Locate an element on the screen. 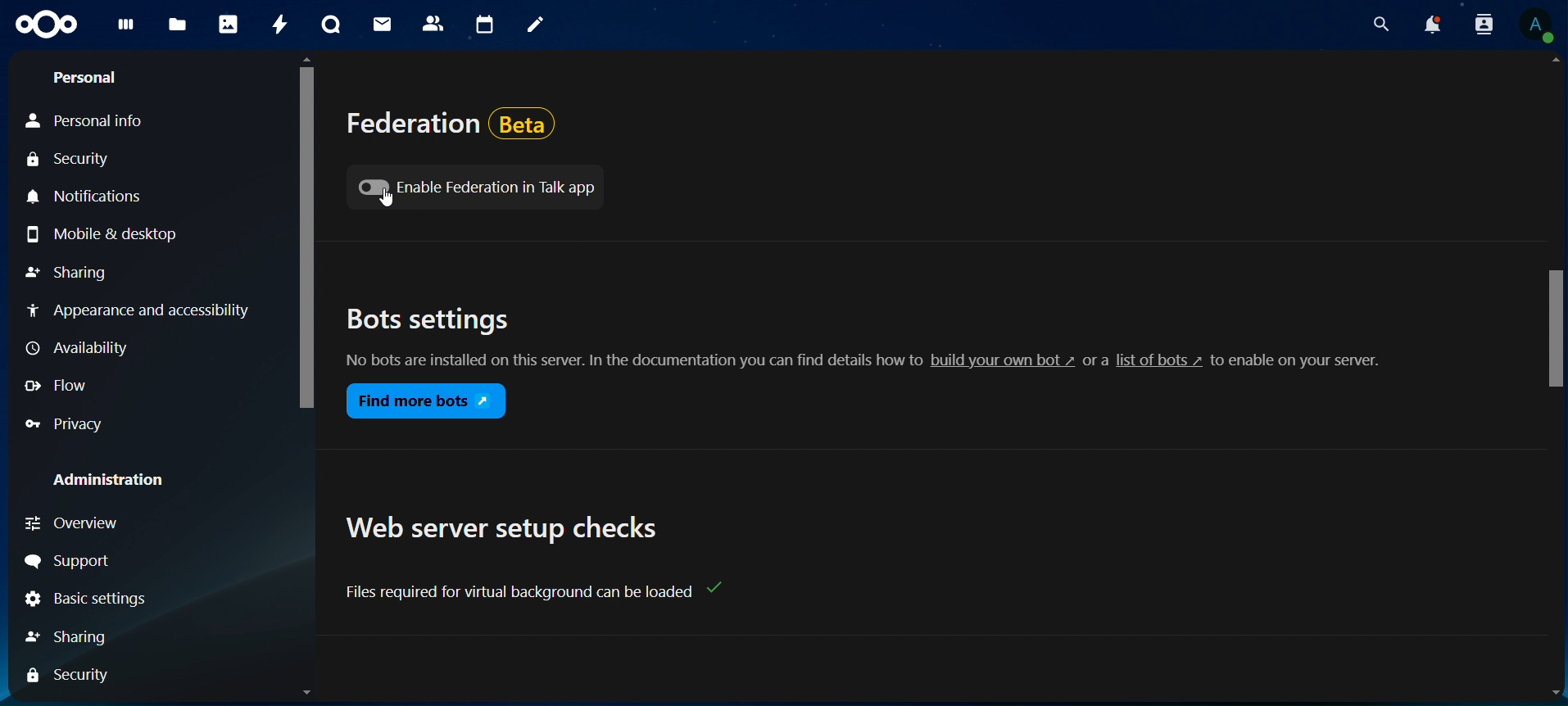 This screenshot has width=1568, height=706. search contacts is located at coordinates (1480, 25).